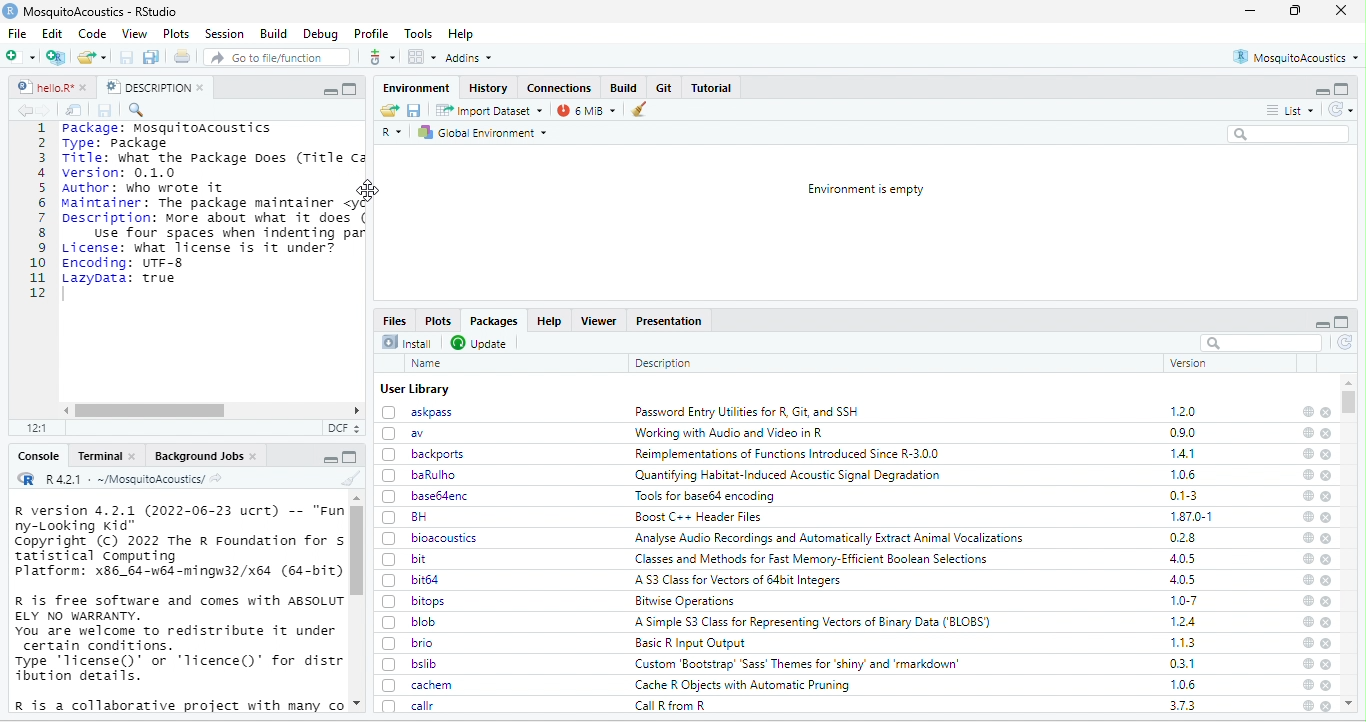  Describe the element at coordinates (624, 87) in the screenshot. I see `Build` at that location.